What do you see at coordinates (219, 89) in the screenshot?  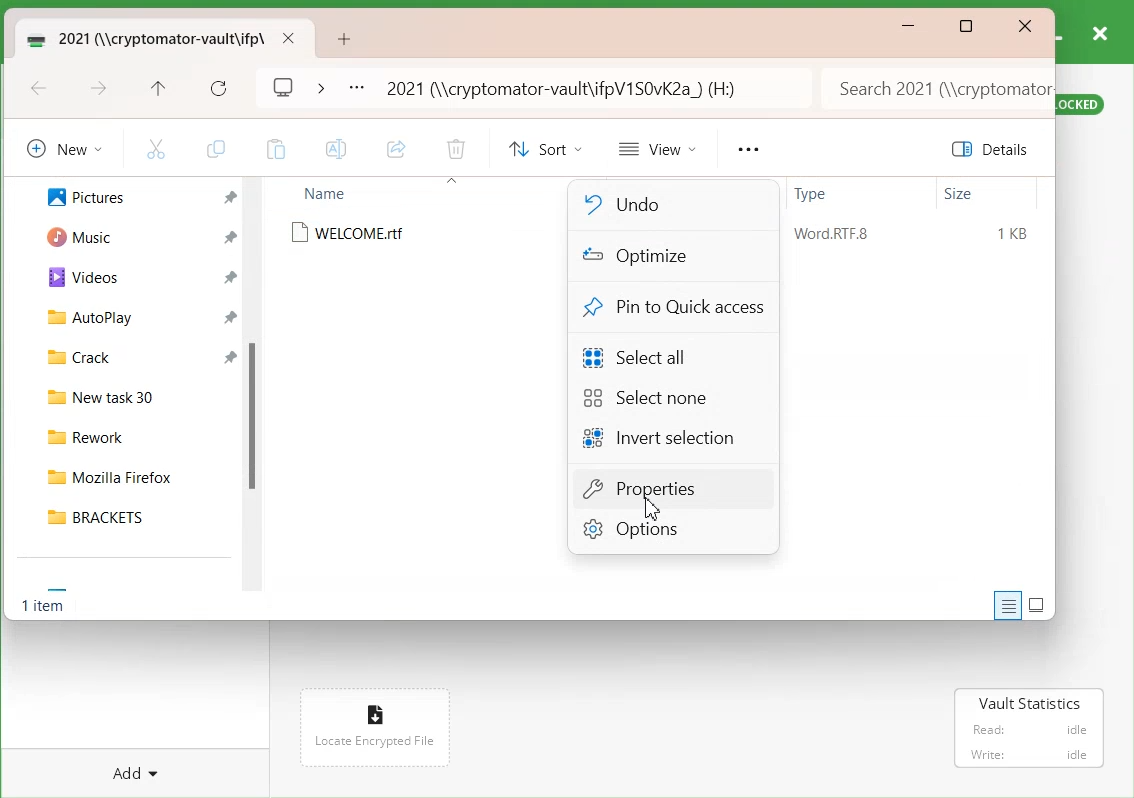 I see `Refresh` at bounding box center [219, 89].